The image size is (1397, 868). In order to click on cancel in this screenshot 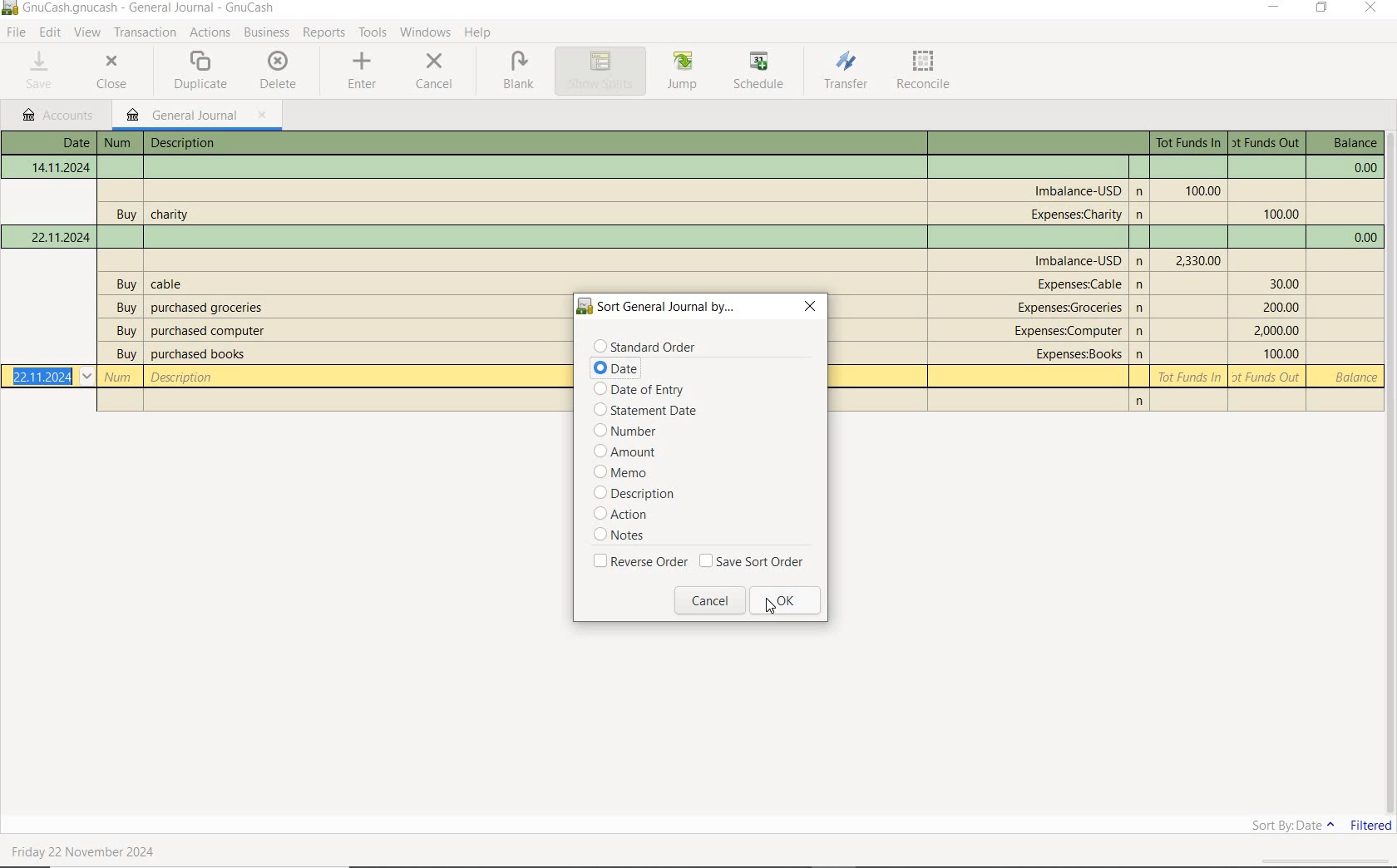, I will do `click(709, 602)`.